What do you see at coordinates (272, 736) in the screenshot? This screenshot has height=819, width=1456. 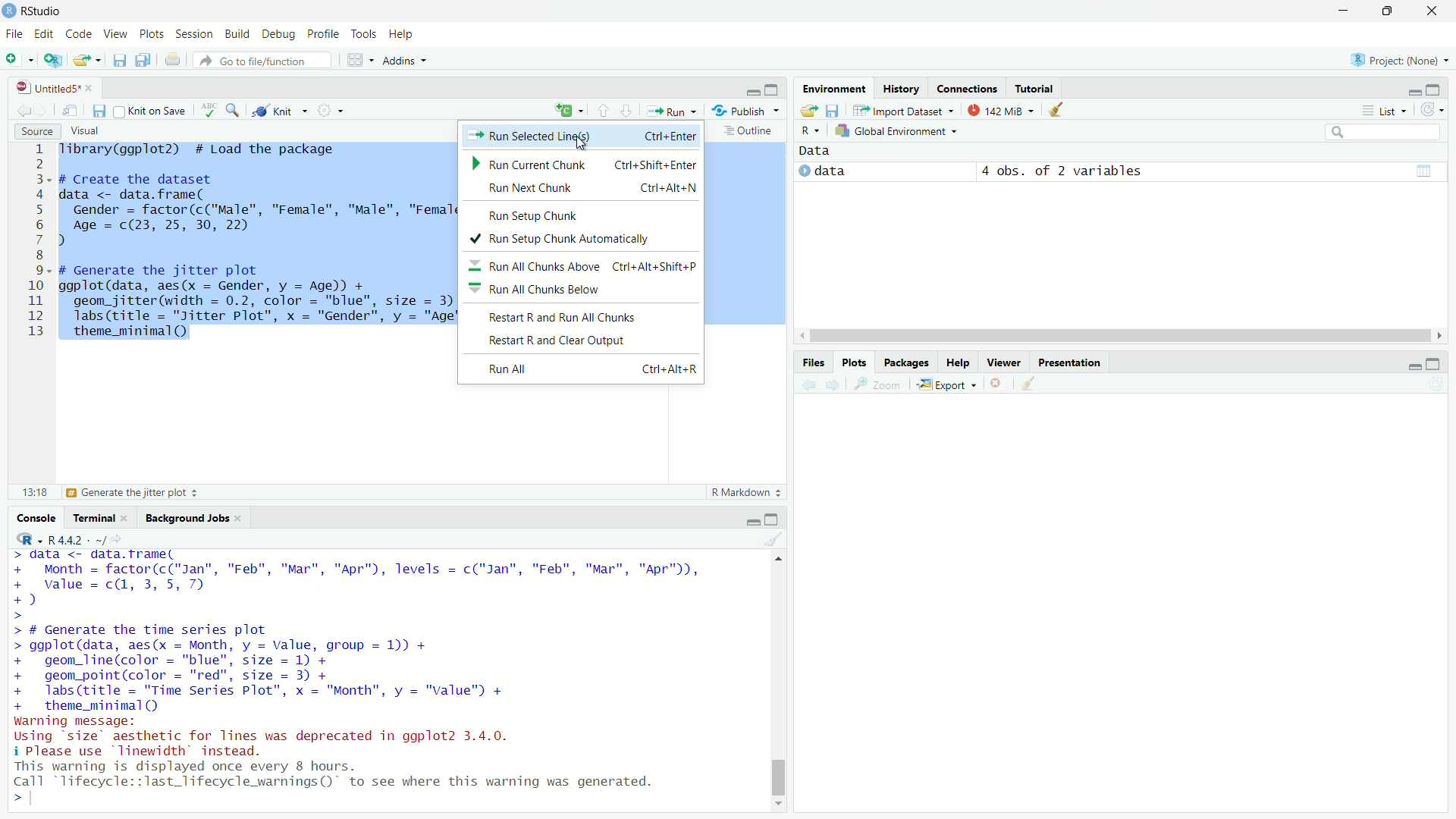 I see `warning message` at bounding box center [272, 736].